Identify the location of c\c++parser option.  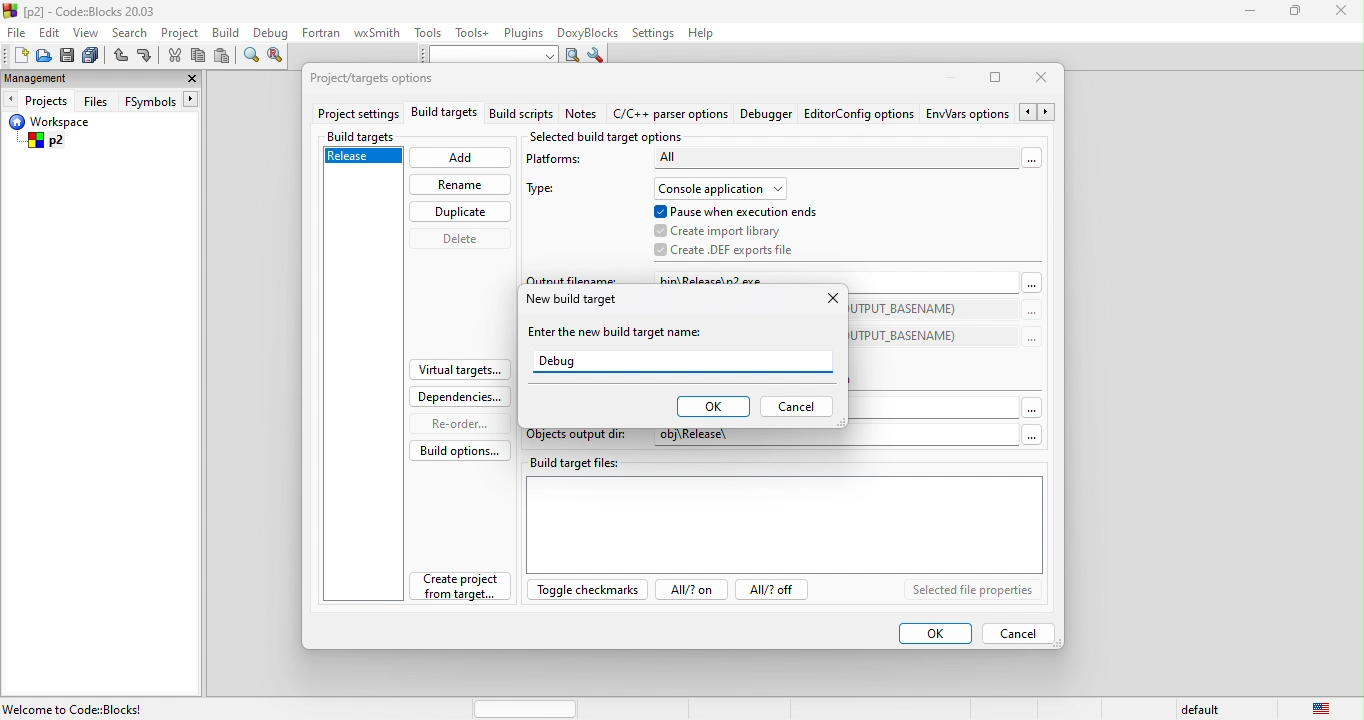
(671, 113).